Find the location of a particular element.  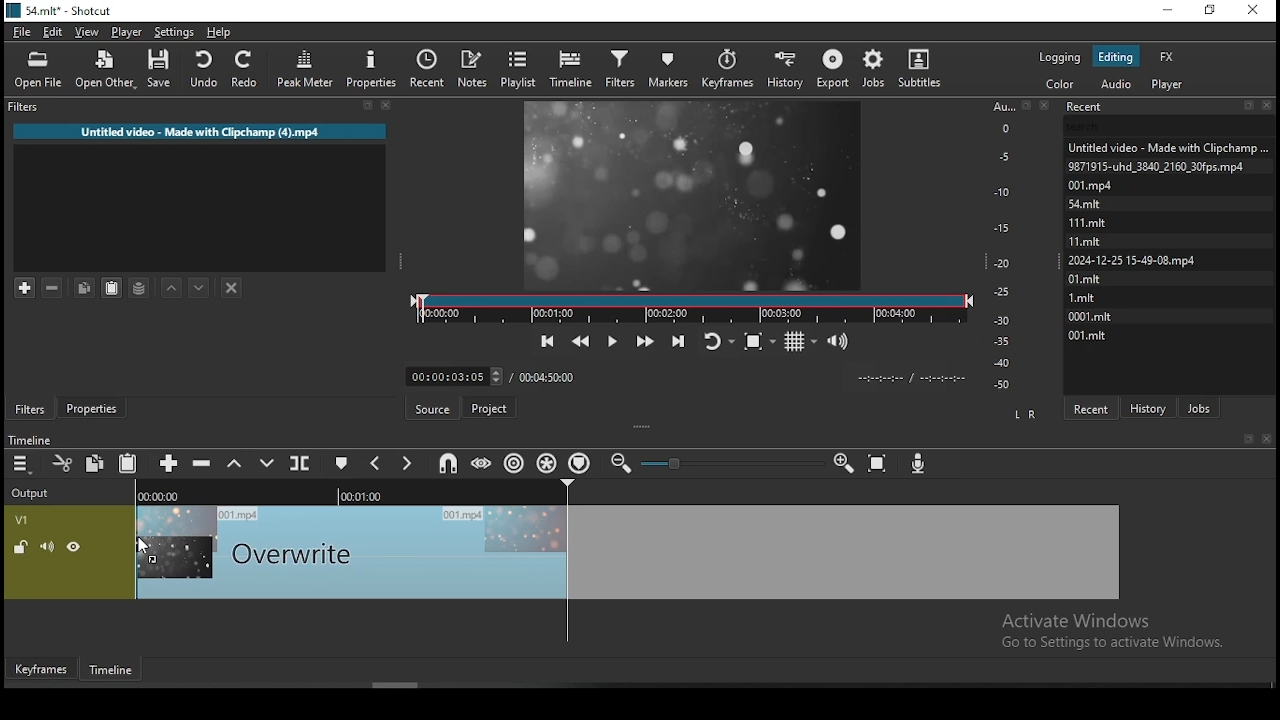

properties is located at coordinates (94, 408).